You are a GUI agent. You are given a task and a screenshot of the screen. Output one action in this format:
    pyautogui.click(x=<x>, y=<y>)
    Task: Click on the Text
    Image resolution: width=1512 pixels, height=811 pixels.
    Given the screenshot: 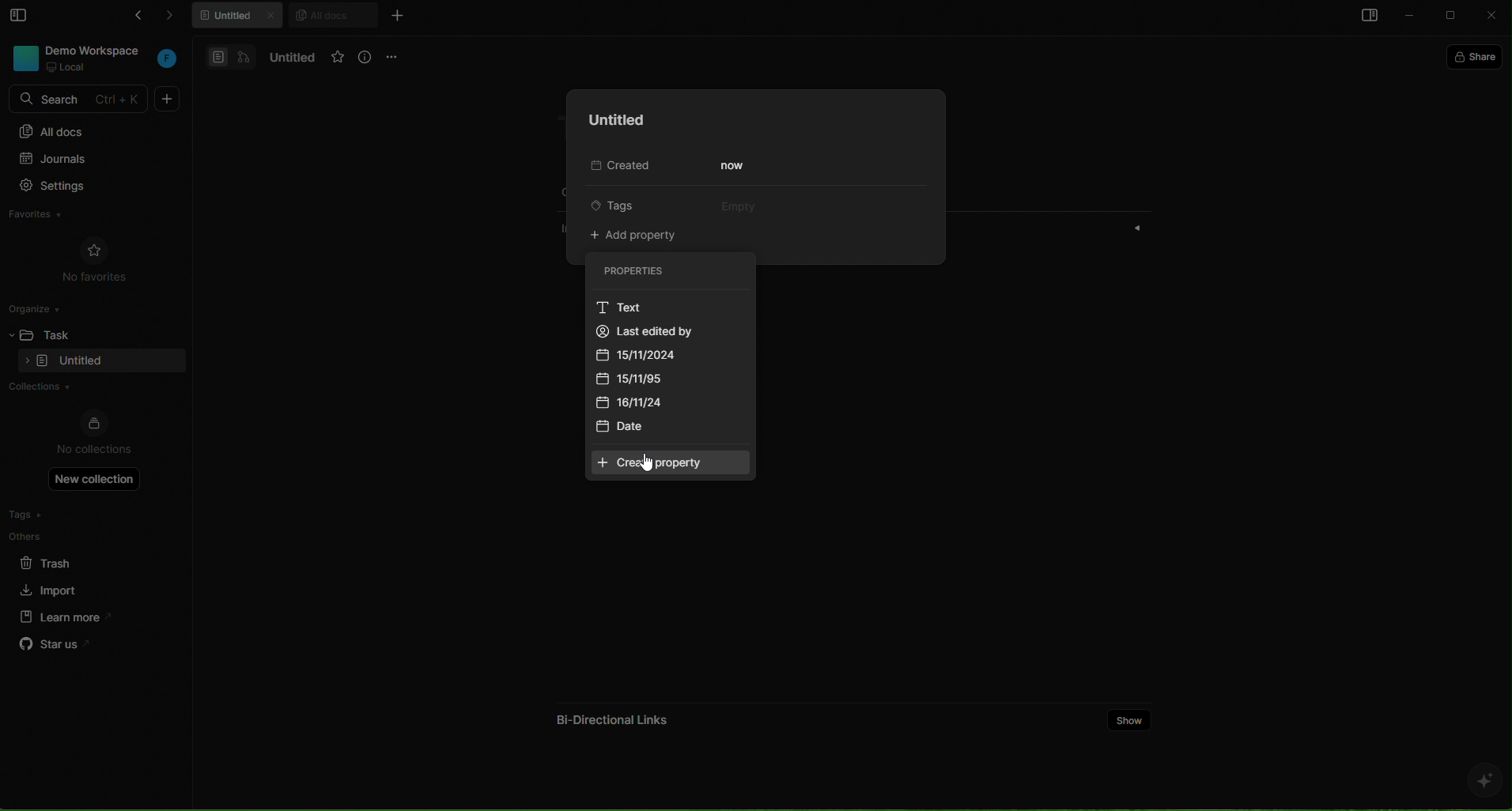 What is the action you would take?
    pyautogui.click(x=618, y=308)
    